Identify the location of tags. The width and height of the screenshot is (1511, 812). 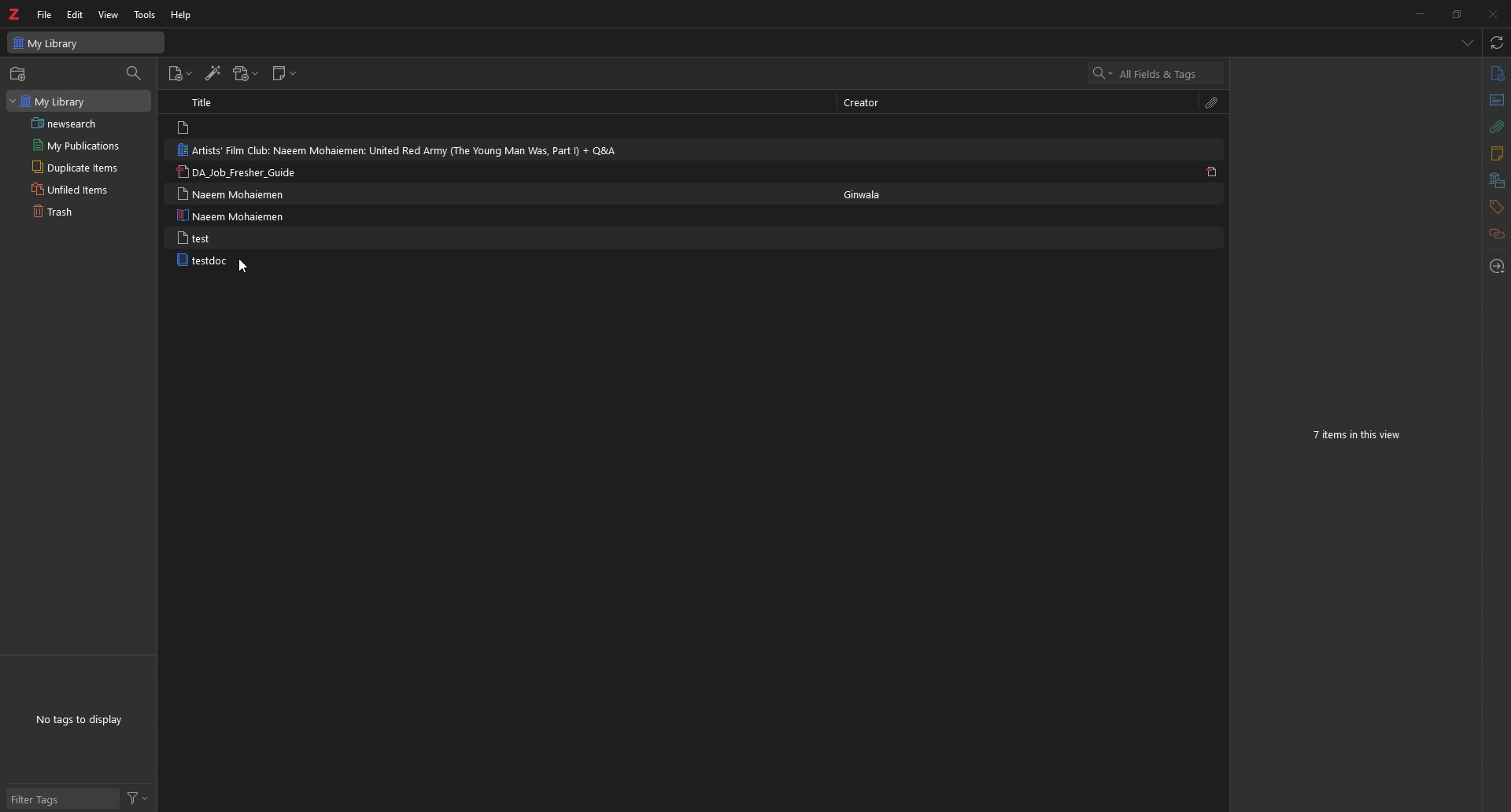
(1496, 206).